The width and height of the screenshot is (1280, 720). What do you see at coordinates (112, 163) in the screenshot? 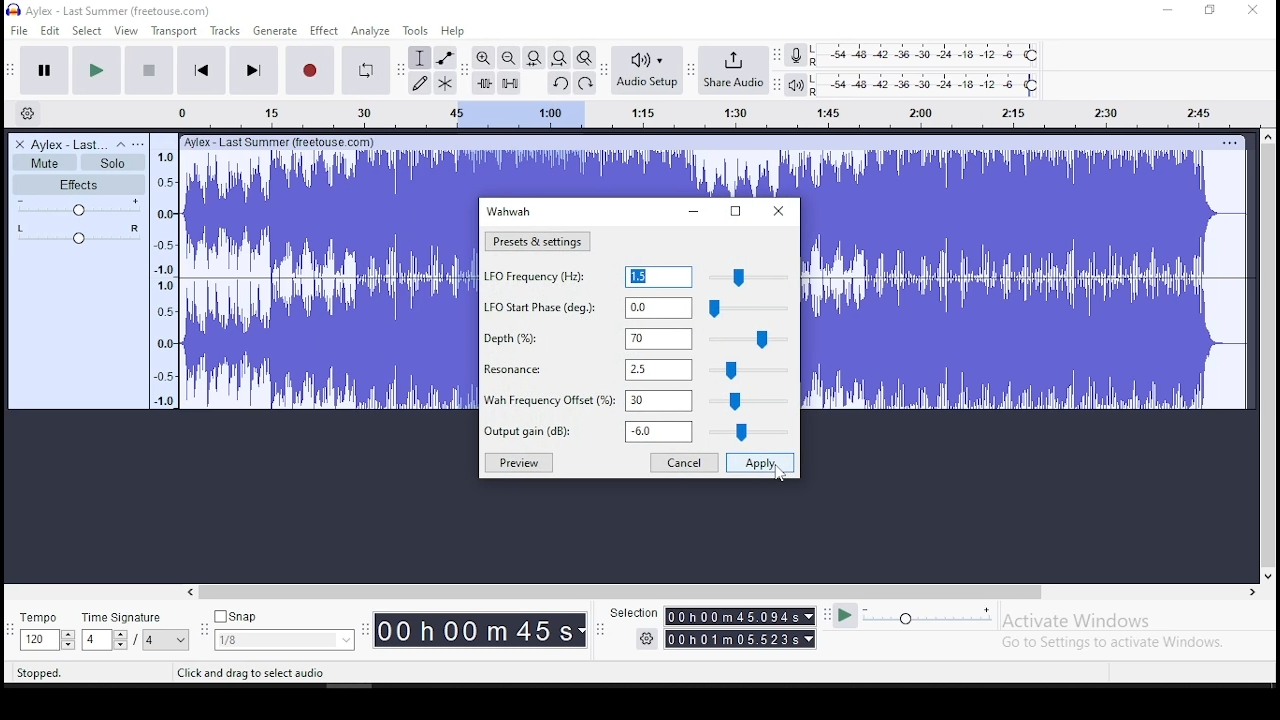
I see `solo` at bounding box center [112, 163].